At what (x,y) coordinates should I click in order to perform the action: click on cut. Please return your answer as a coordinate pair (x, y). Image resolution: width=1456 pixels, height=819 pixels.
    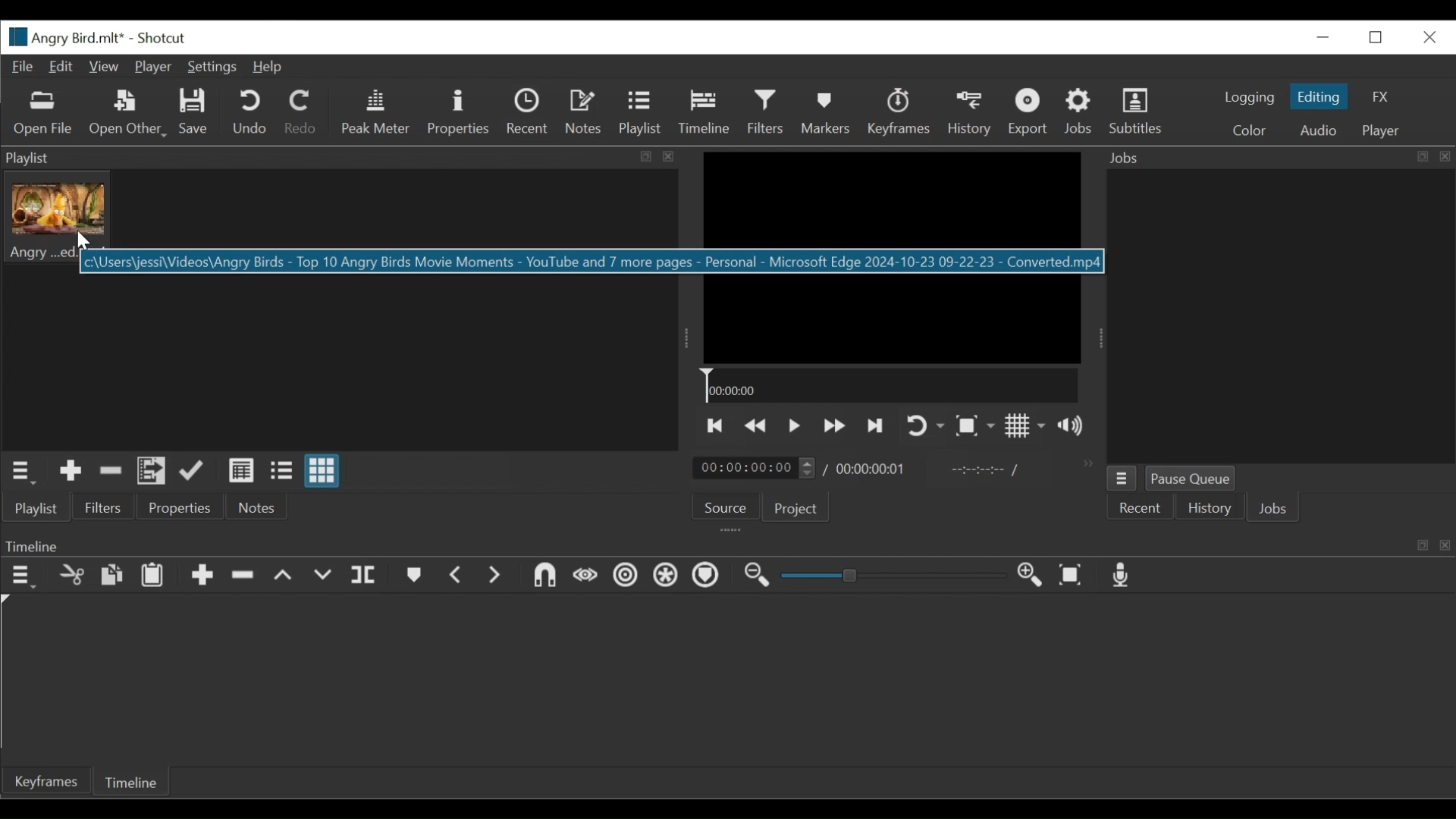
    Looking at the image, I should click on (74, 576).